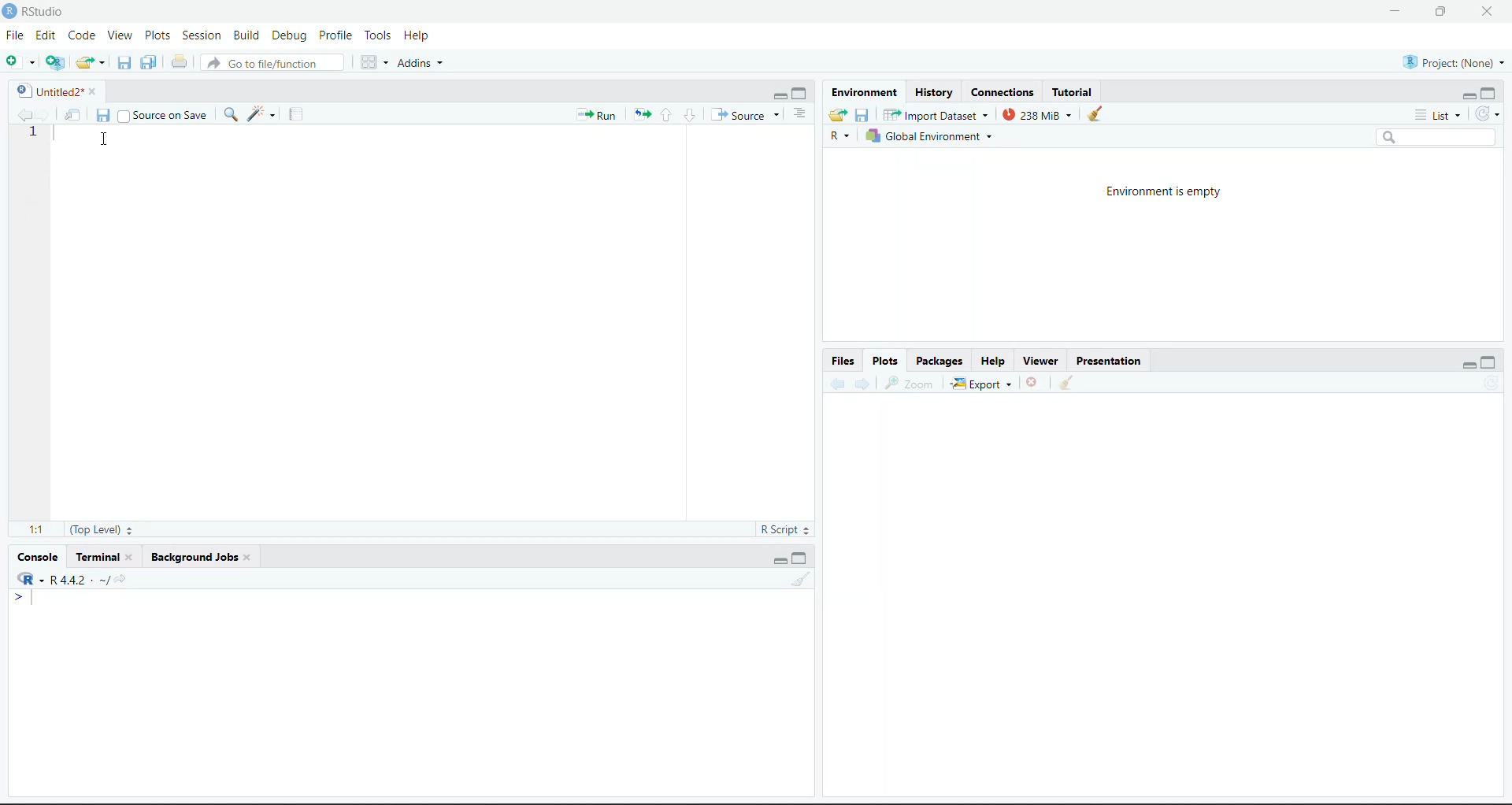 The height and width of the screenshot is (805, 1512). I want to click on save, so click(124, 63).